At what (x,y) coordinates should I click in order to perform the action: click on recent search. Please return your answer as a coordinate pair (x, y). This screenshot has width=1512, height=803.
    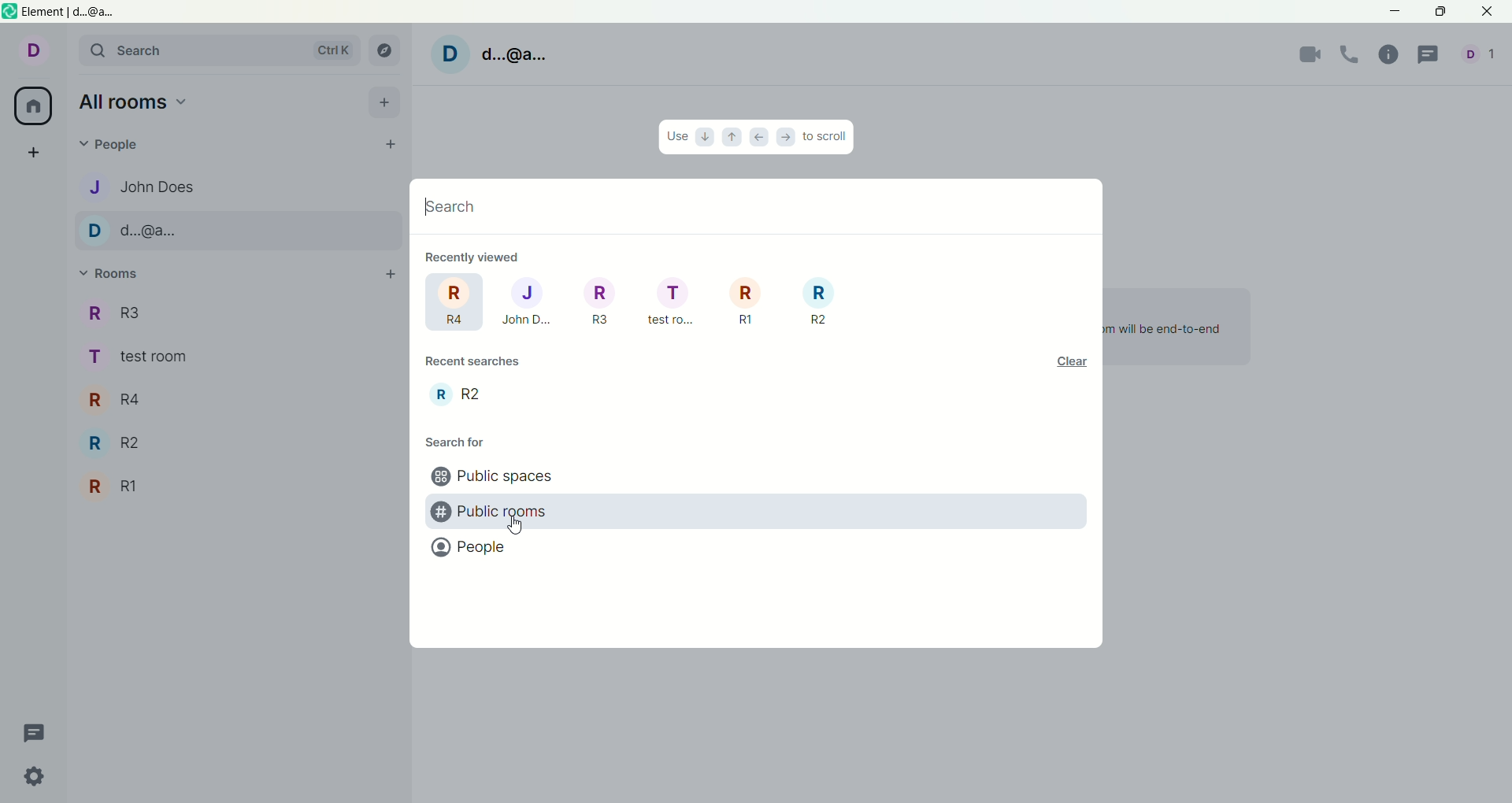
    Looking at the image, I should click on (479, 361).